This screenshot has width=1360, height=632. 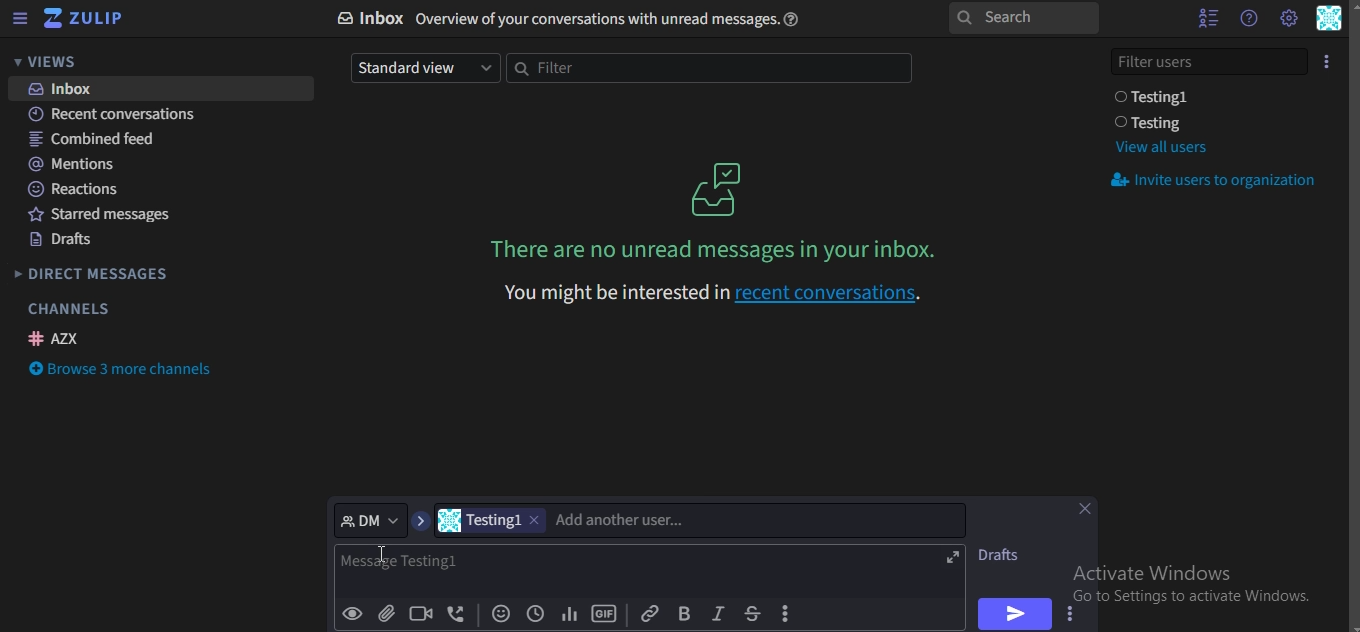 I want to click on testing, so click(x=1153, y=123).